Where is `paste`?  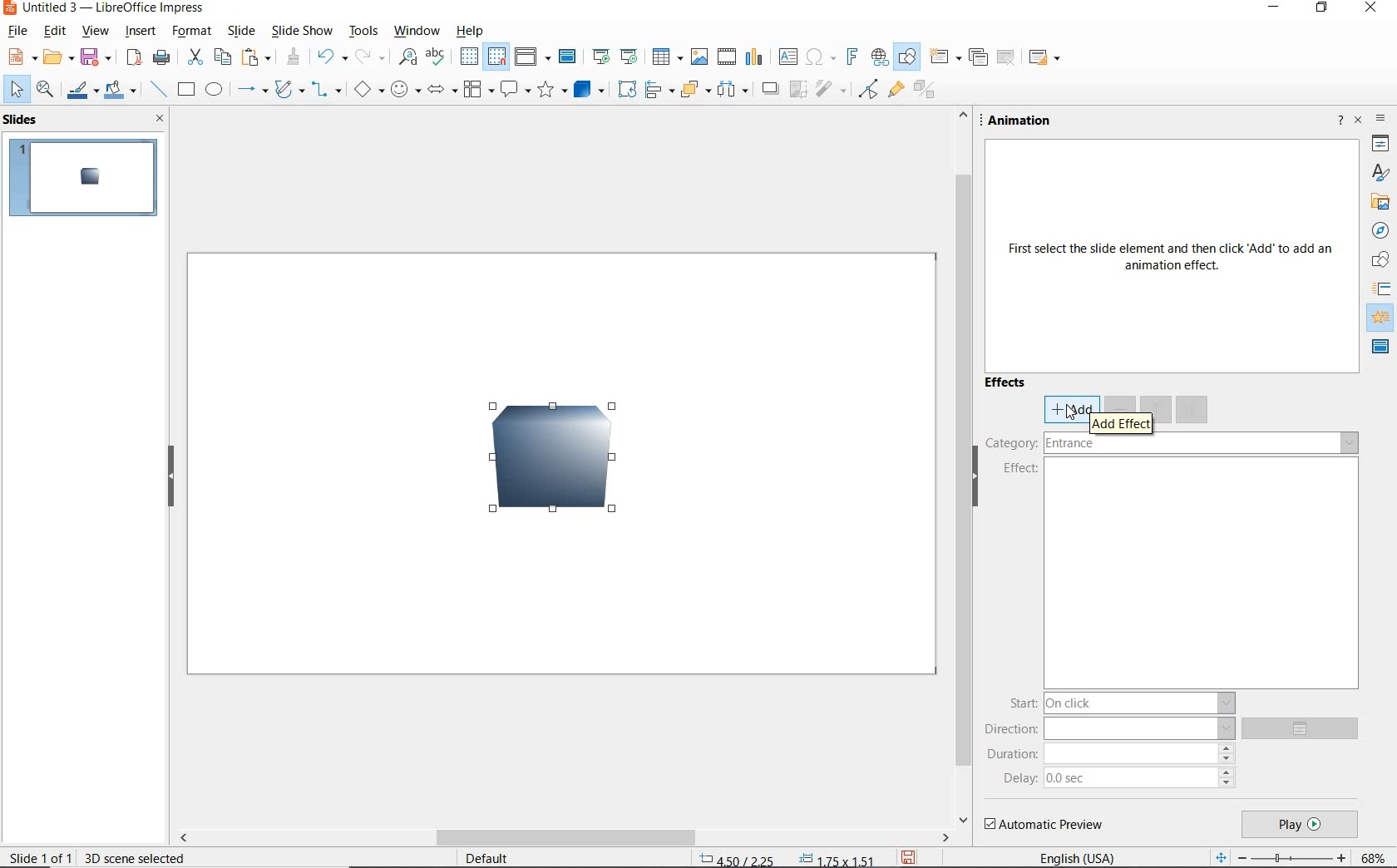 paste is located at coordinates (257, 56).